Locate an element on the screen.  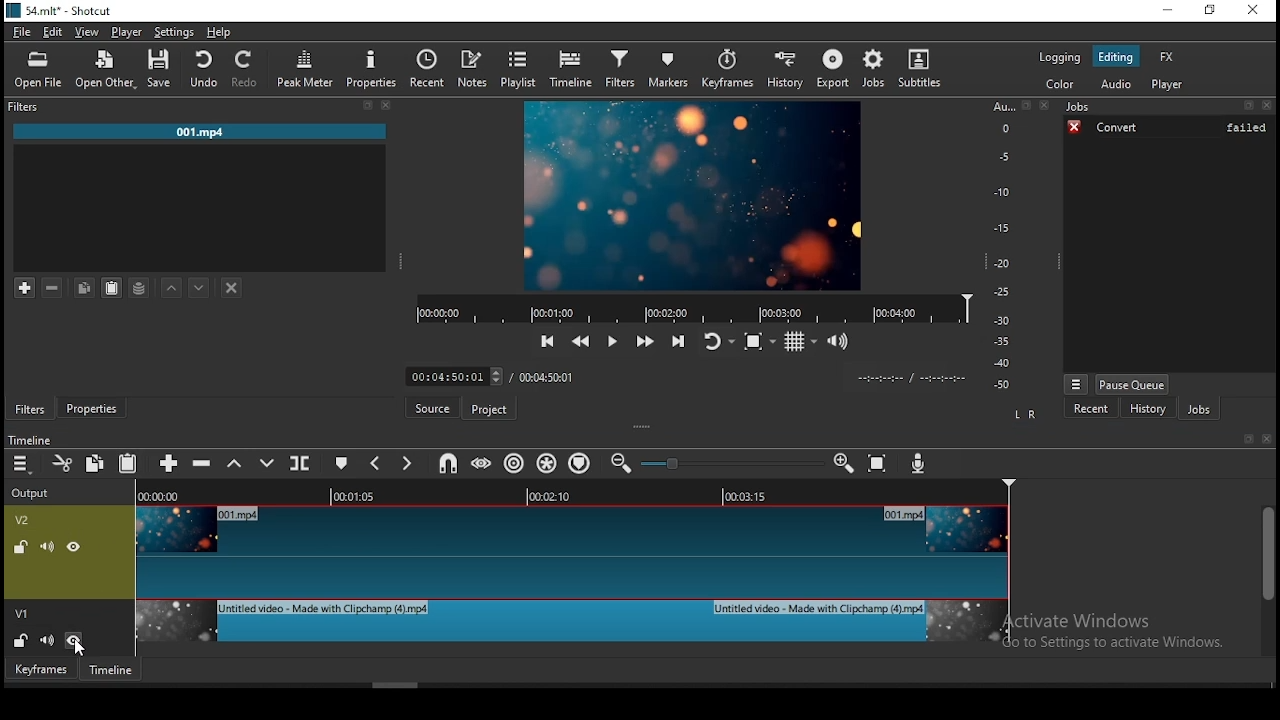
play quickly forwards is located at coordinates (644, 339).